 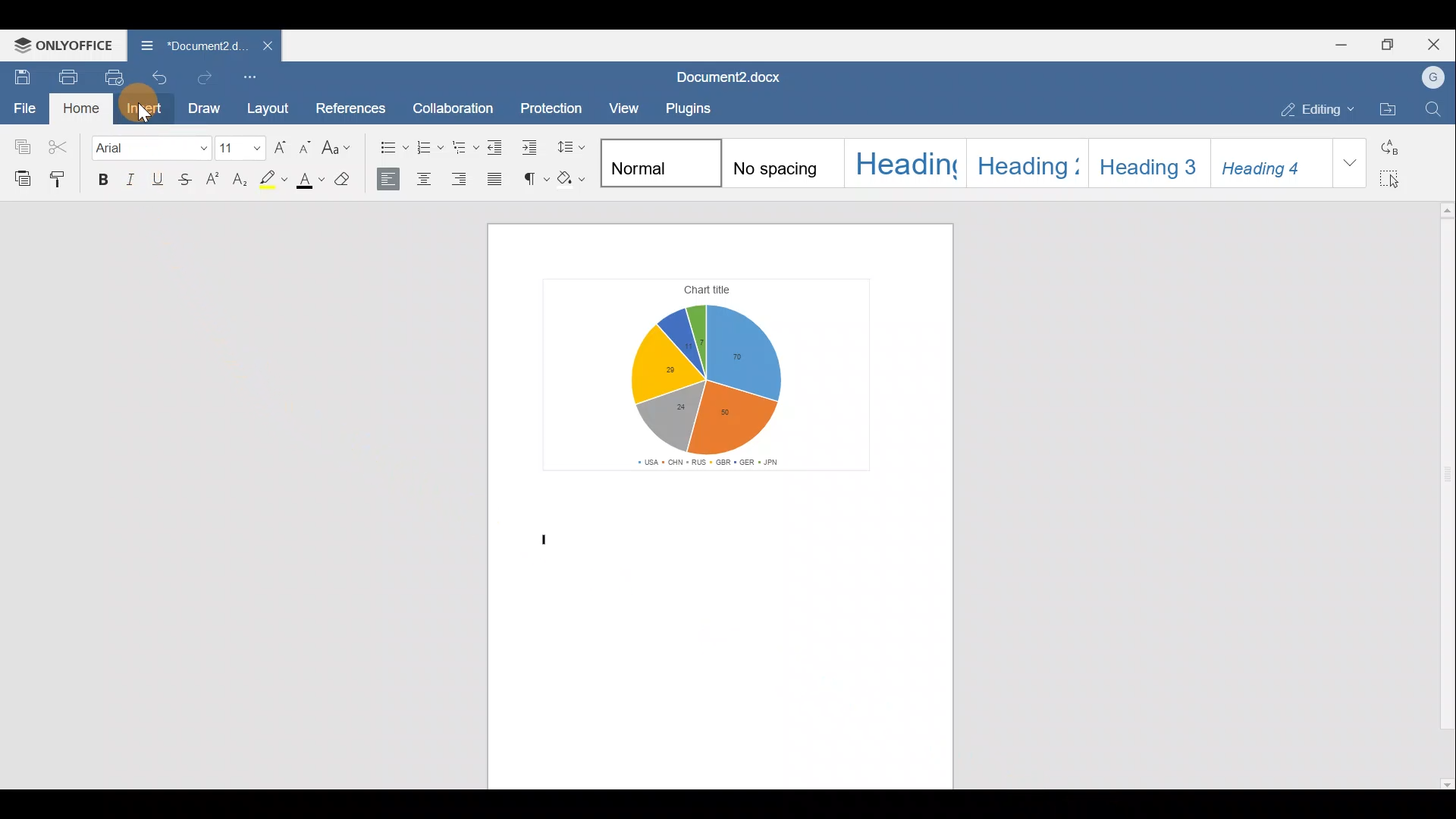 I want to click on Collaboration, so click(x=459, y=104).